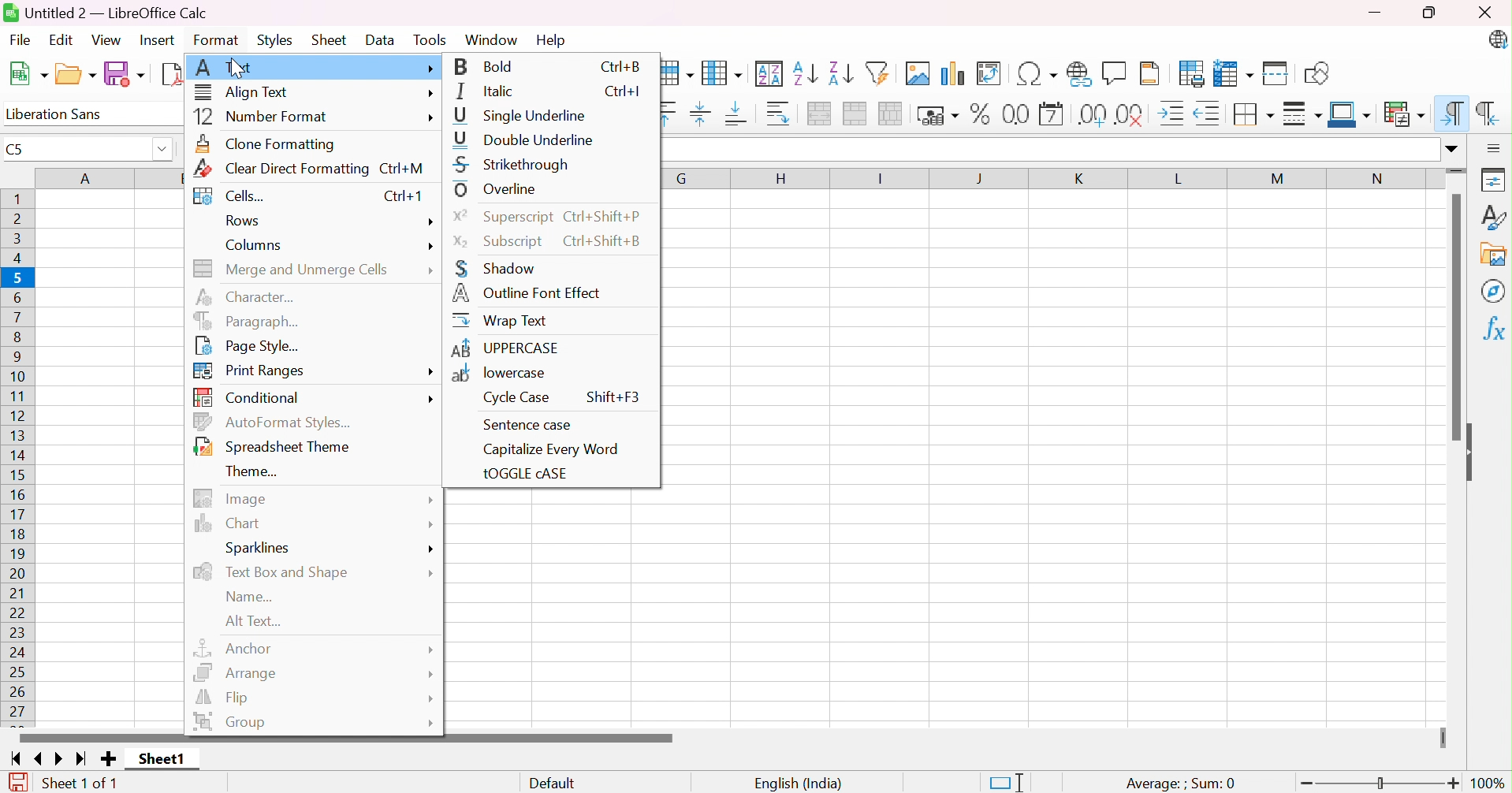 Image resolution: width=1512 pixels, height=793 pixels. Describe the element at coordinates (625, 91) in the screenshot. I see `Ctrl+I` at that location.